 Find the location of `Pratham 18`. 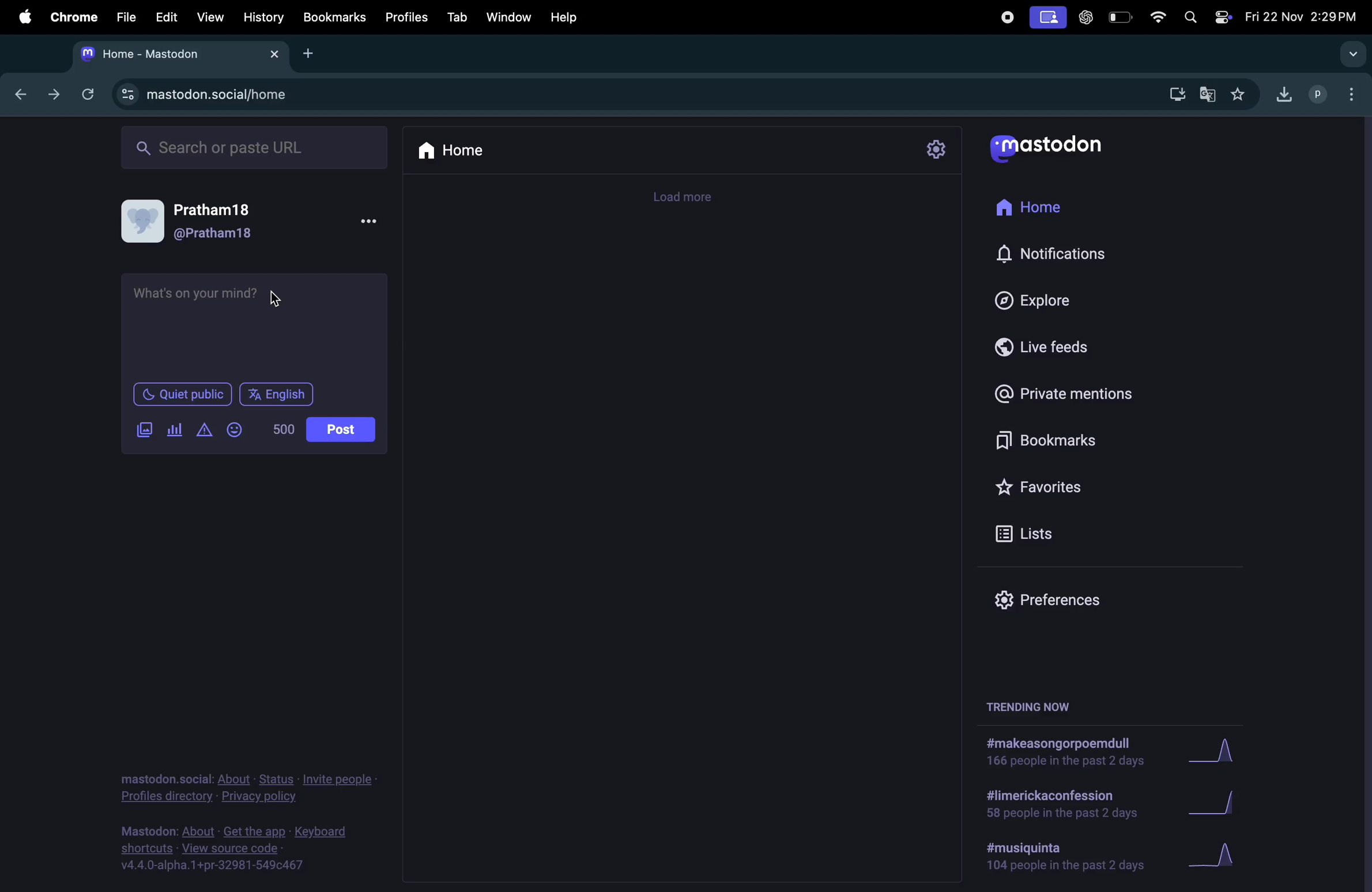

Pratham 18 is located at coordinates (216, 209).